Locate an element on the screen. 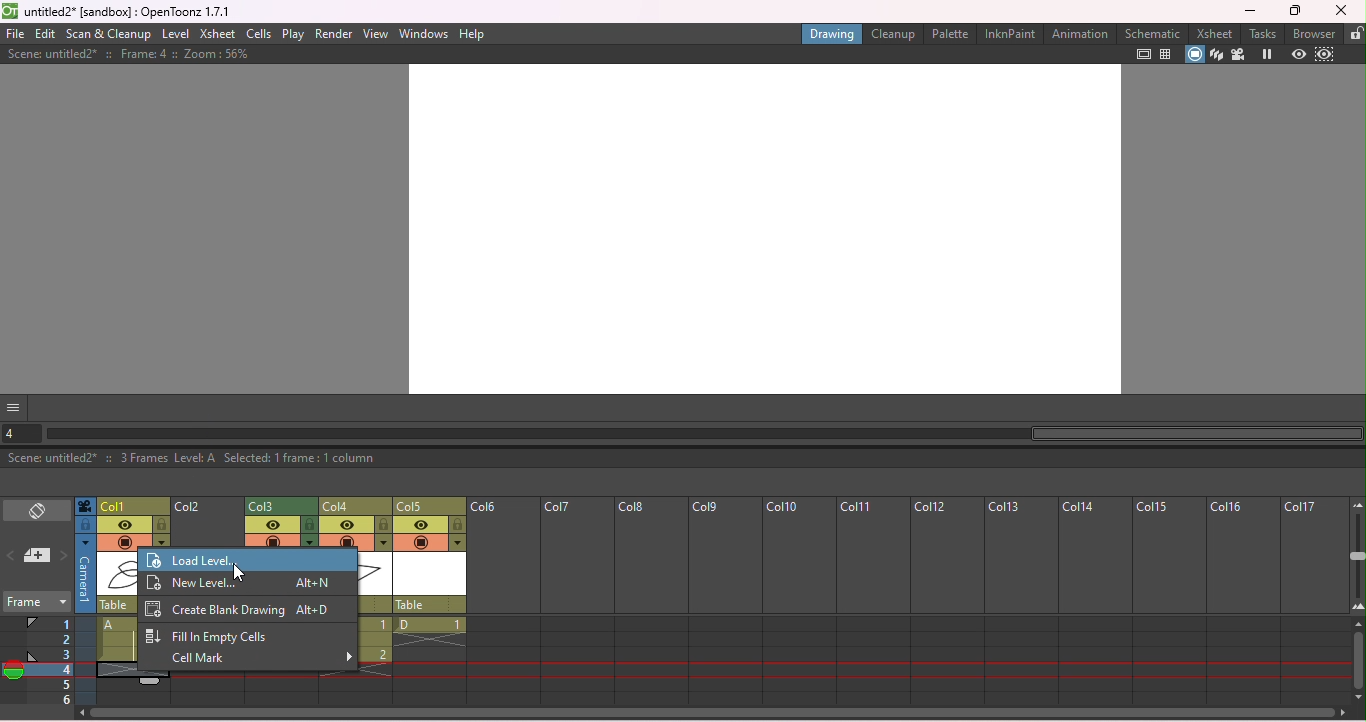 The image size is (1366, 722). Scene: untitled2* :: 3 Frames Level: A Selected: 1 frame: 1 column is located at coordinates (682, 459).